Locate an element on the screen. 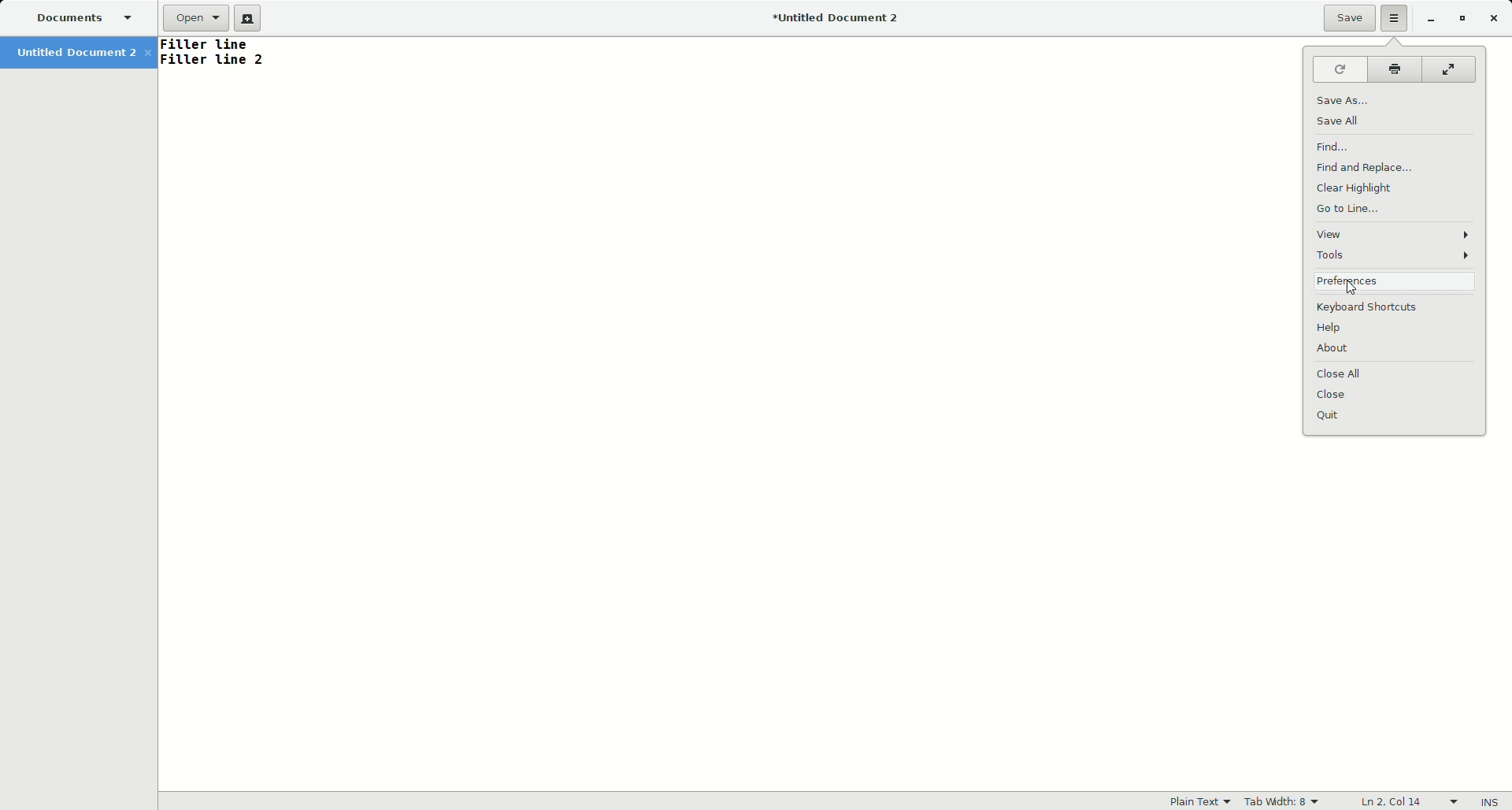 The image size is (1512, 810). Documents is located at coordinates (89, 20).